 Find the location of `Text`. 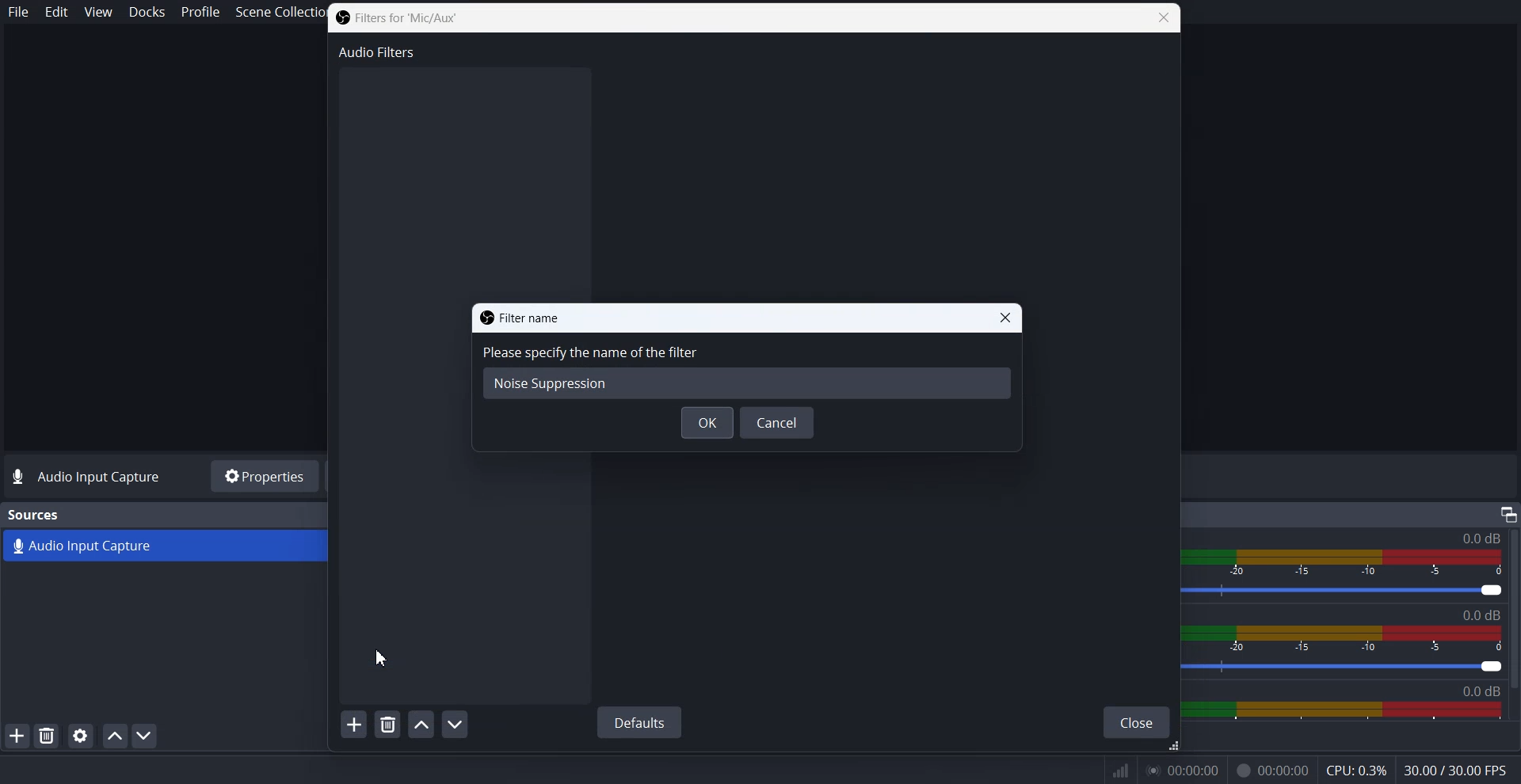

Text is located at coordinates (1486, 615).